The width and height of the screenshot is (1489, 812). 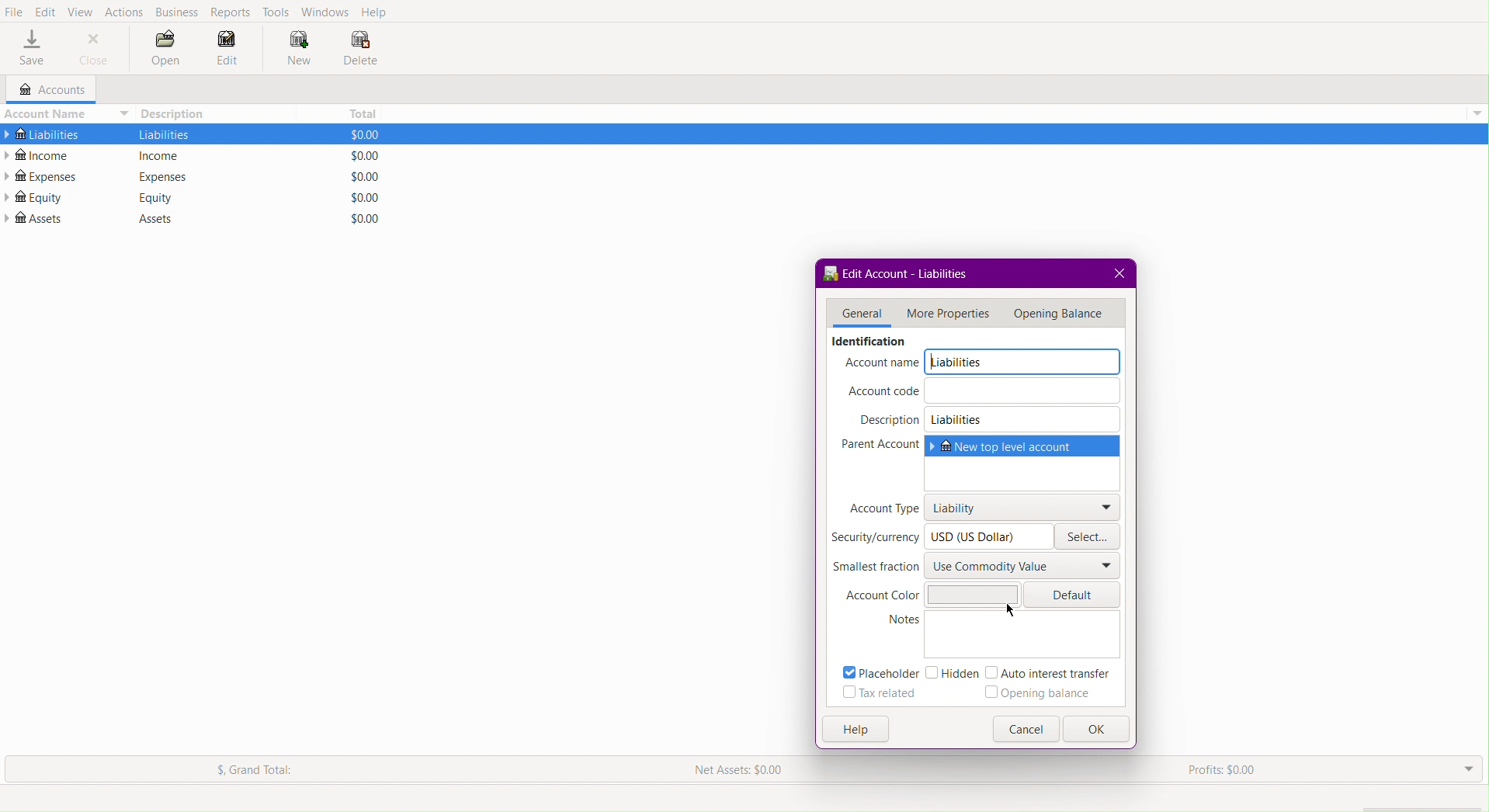 I want to click on Smallest fraction, so click(x=876, y=566).